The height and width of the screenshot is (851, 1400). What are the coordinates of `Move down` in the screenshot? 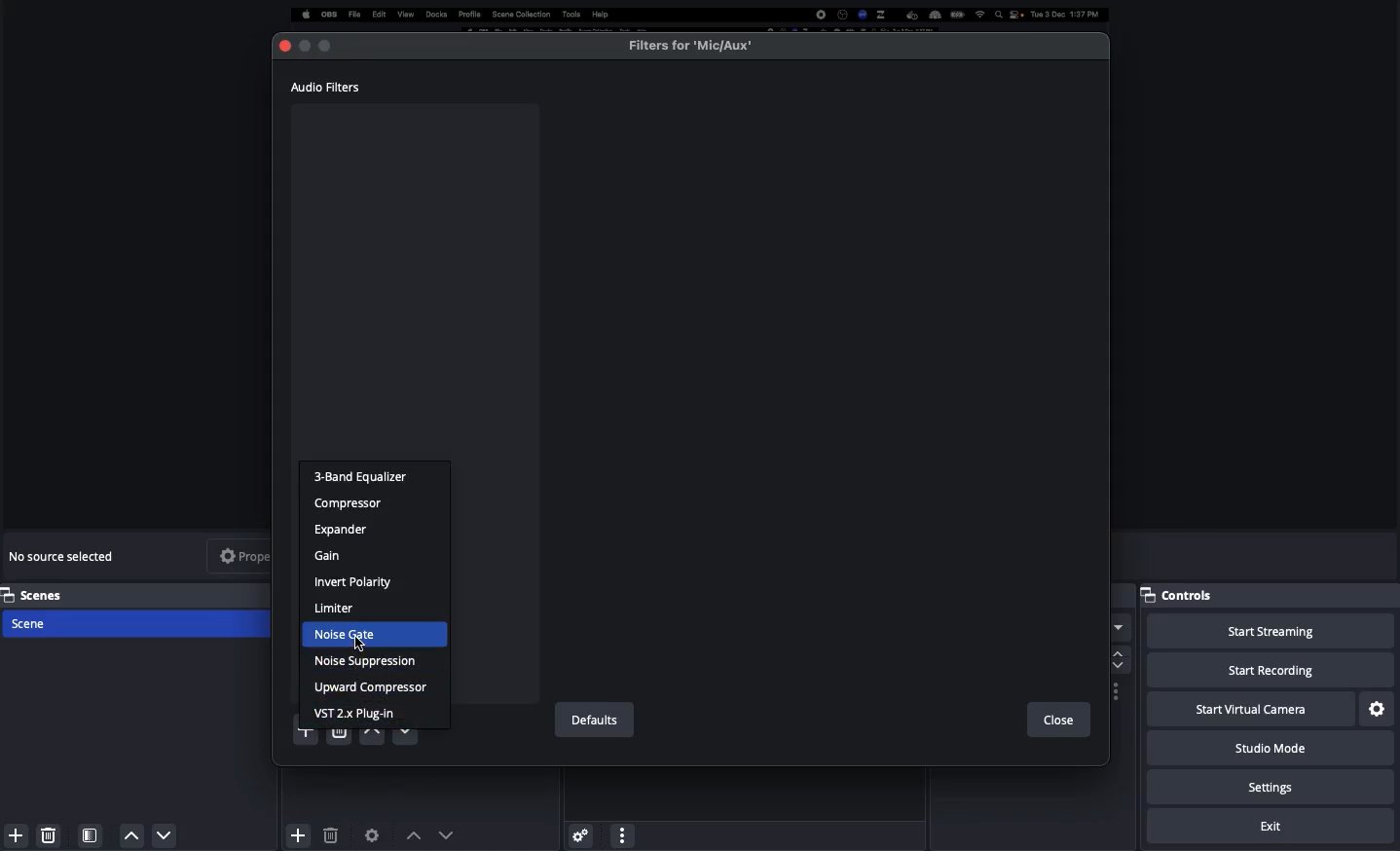 It's located at (447, 834).